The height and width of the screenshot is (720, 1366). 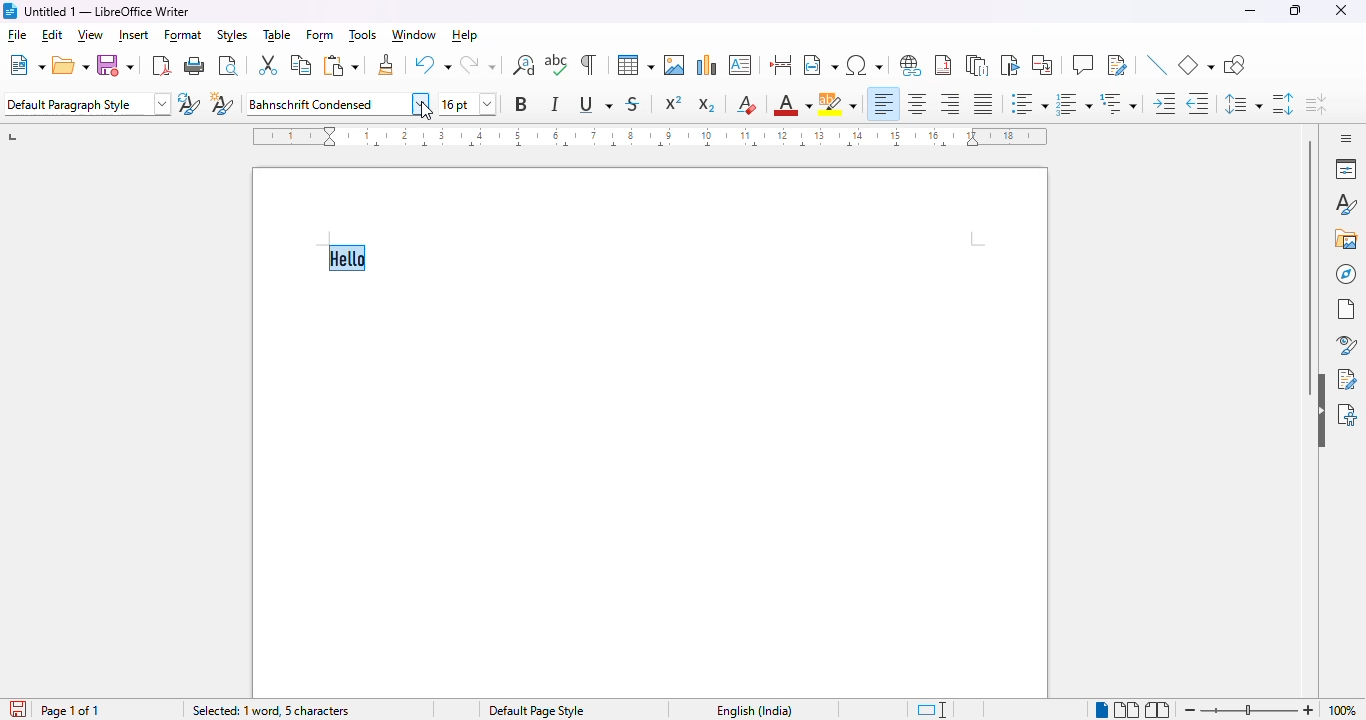 I want to click on styles, so click(x=231, y=35).